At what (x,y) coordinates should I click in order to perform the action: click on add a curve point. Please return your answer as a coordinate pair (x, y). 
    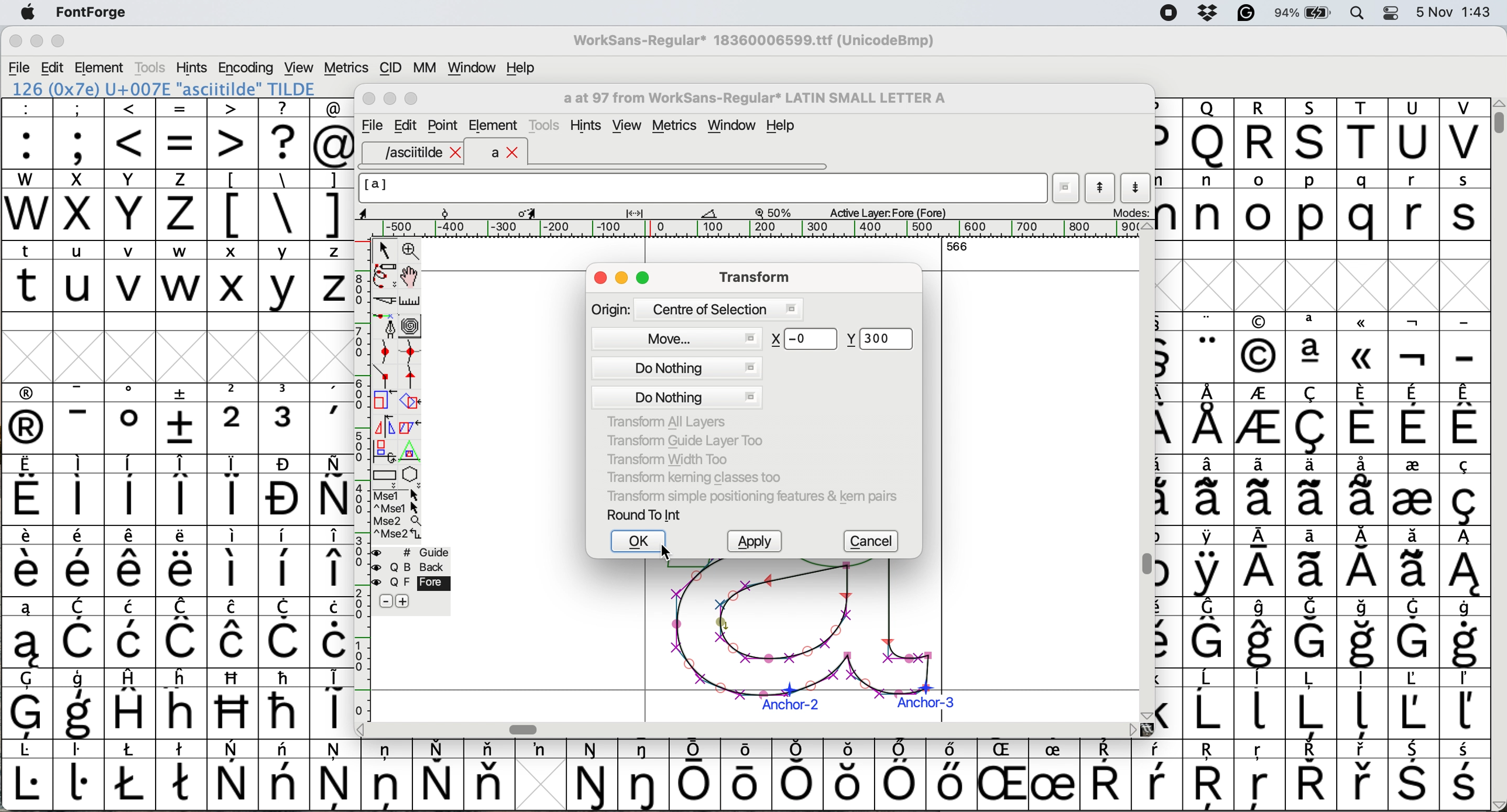
    Looking at the image, I should click on (386, 352).